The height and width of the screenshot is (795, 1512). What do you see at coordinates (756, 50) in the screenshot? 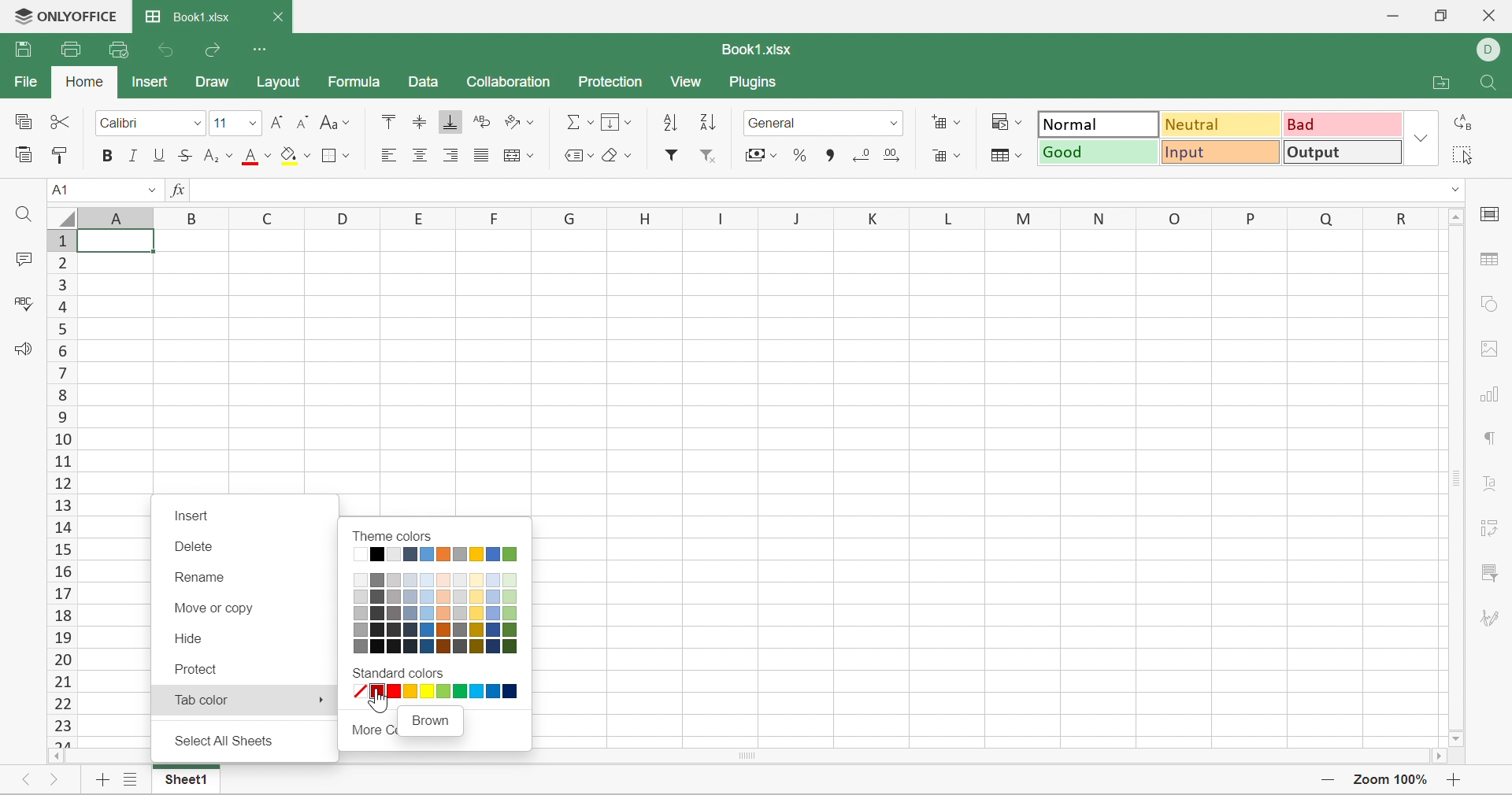
I see `Book1.xlsx` at bounding box center [756, 50].